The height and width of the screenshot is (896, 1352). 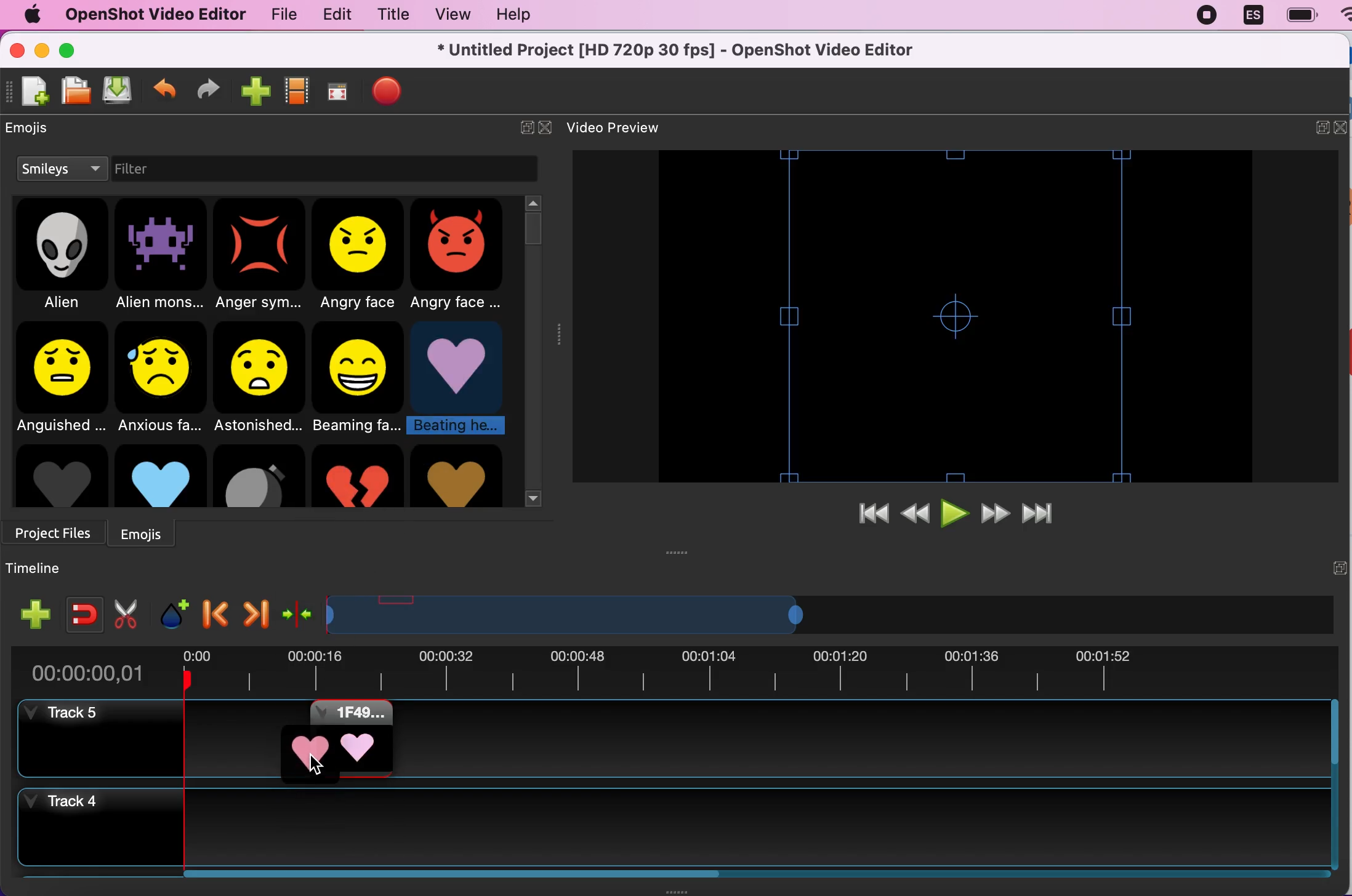 I want to click on fast forward, so click(x=994, y=511).